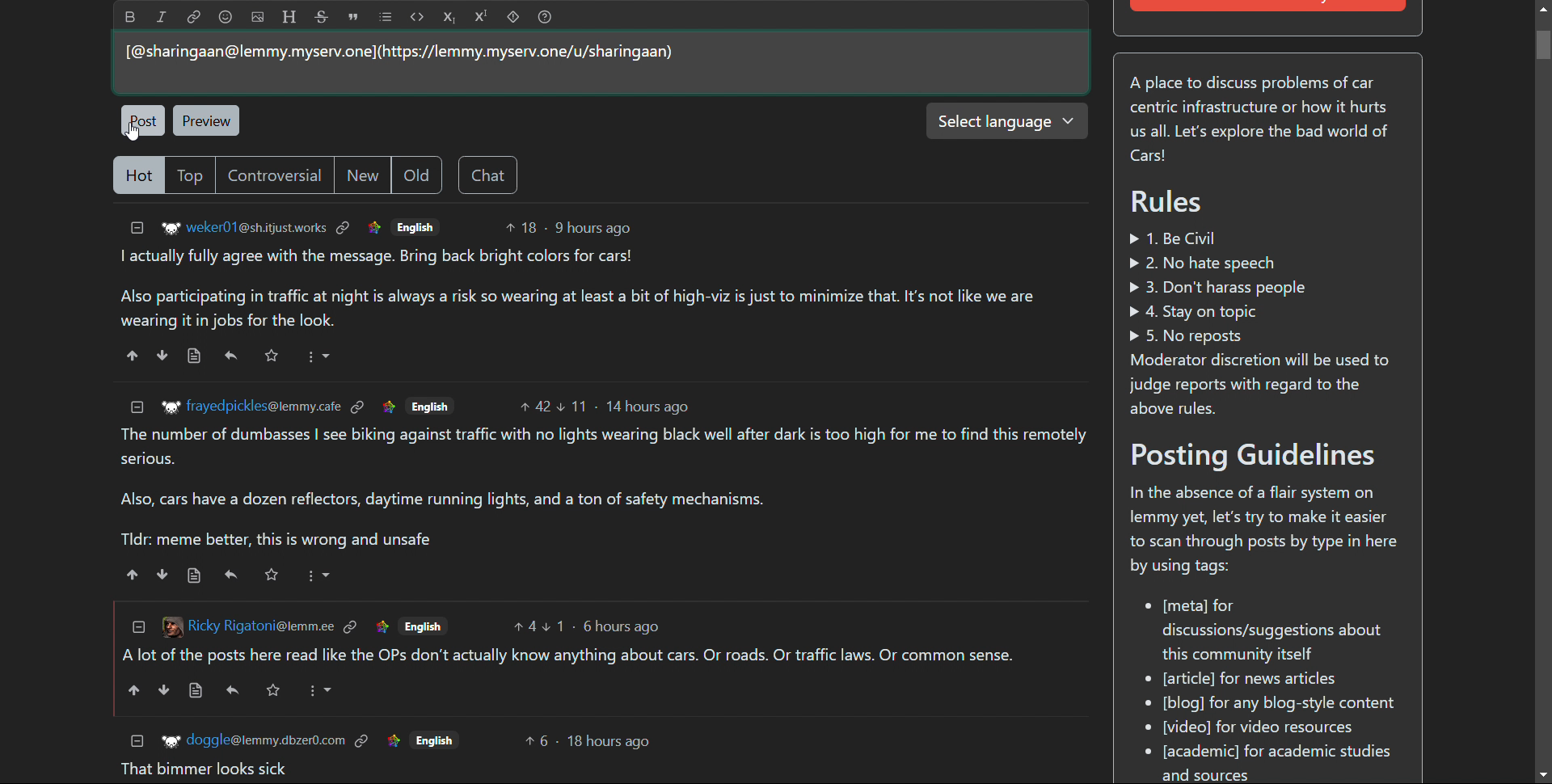  Describe the element at coordinates (482, 17) in the screenshot. I see `superscript` at that location.